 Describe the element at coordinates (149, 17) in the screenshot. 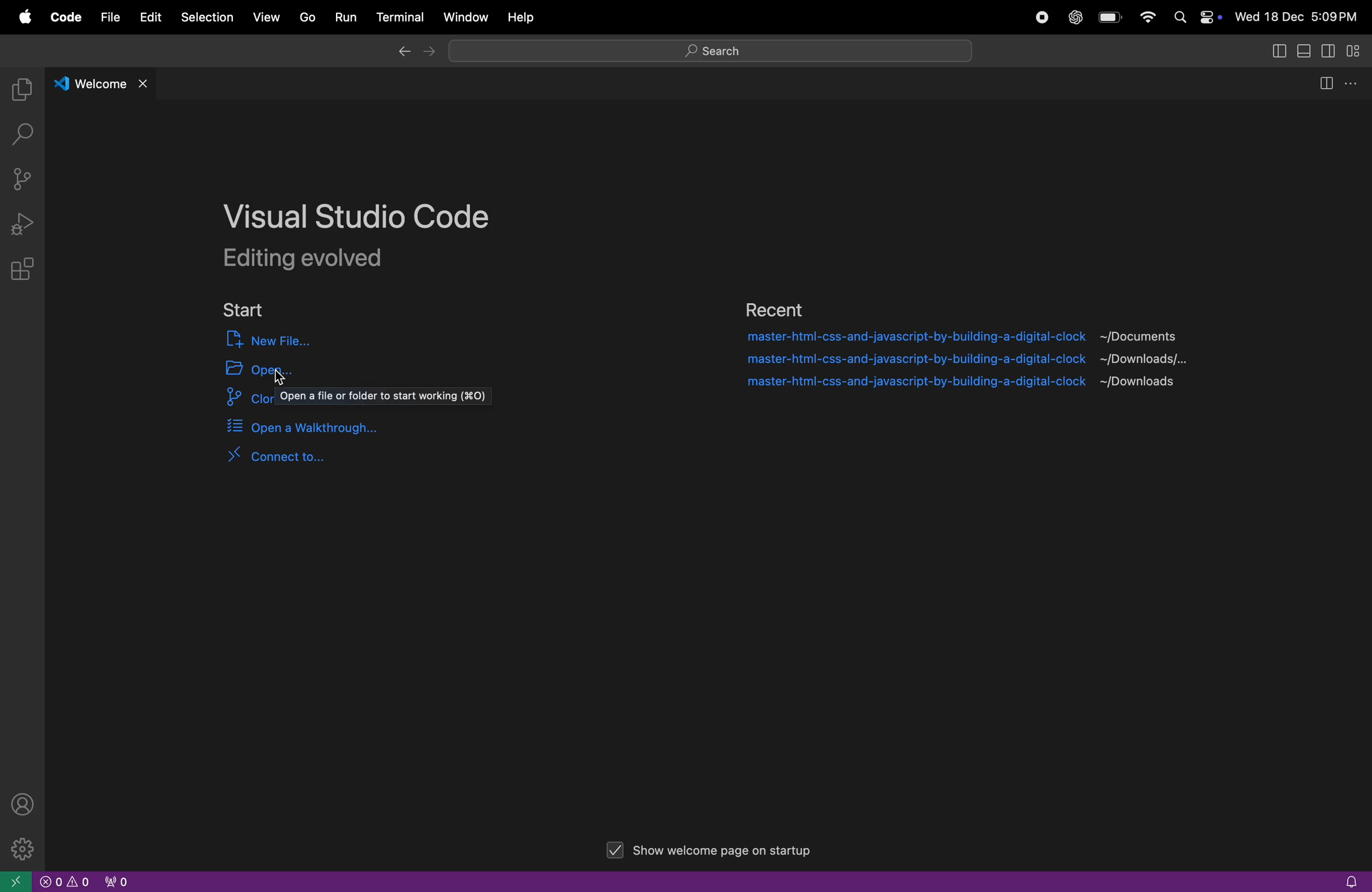

I see `edit` at that location.